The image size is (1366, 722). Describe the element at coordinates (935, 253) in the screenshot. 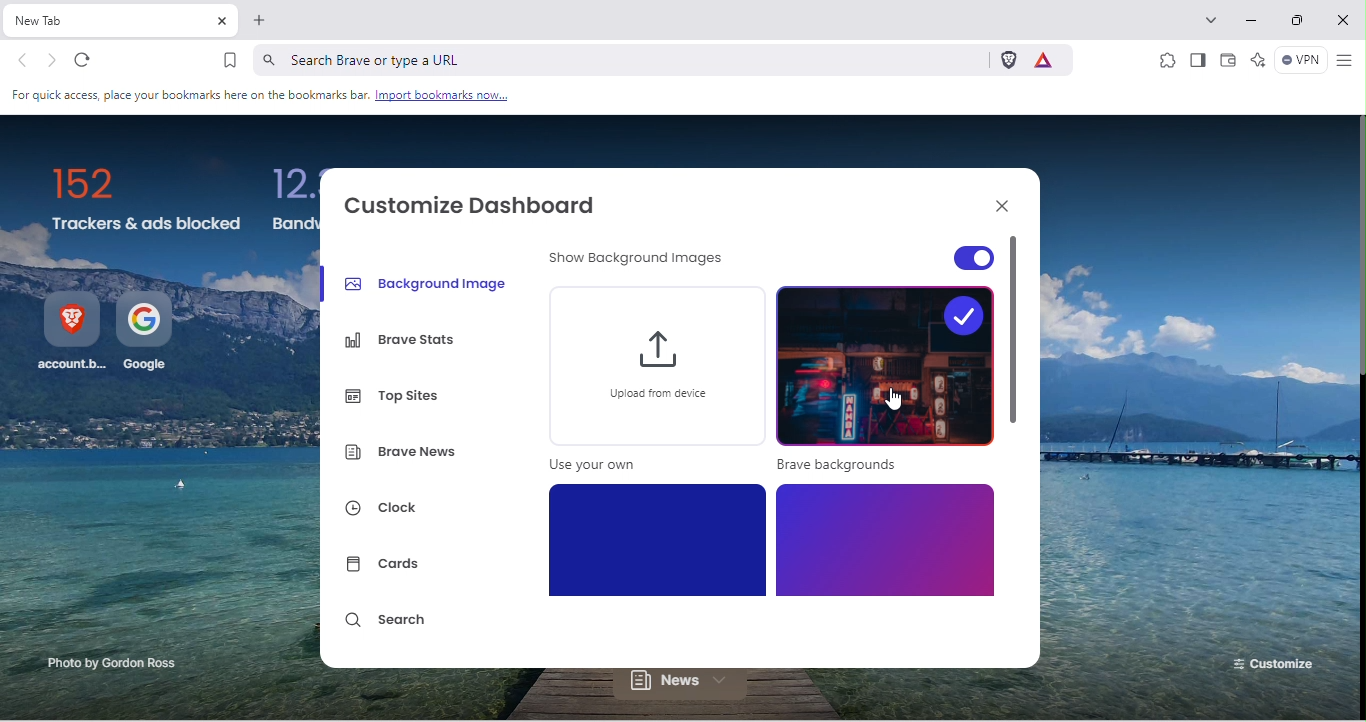

I see `Toggle show background images` at that location.